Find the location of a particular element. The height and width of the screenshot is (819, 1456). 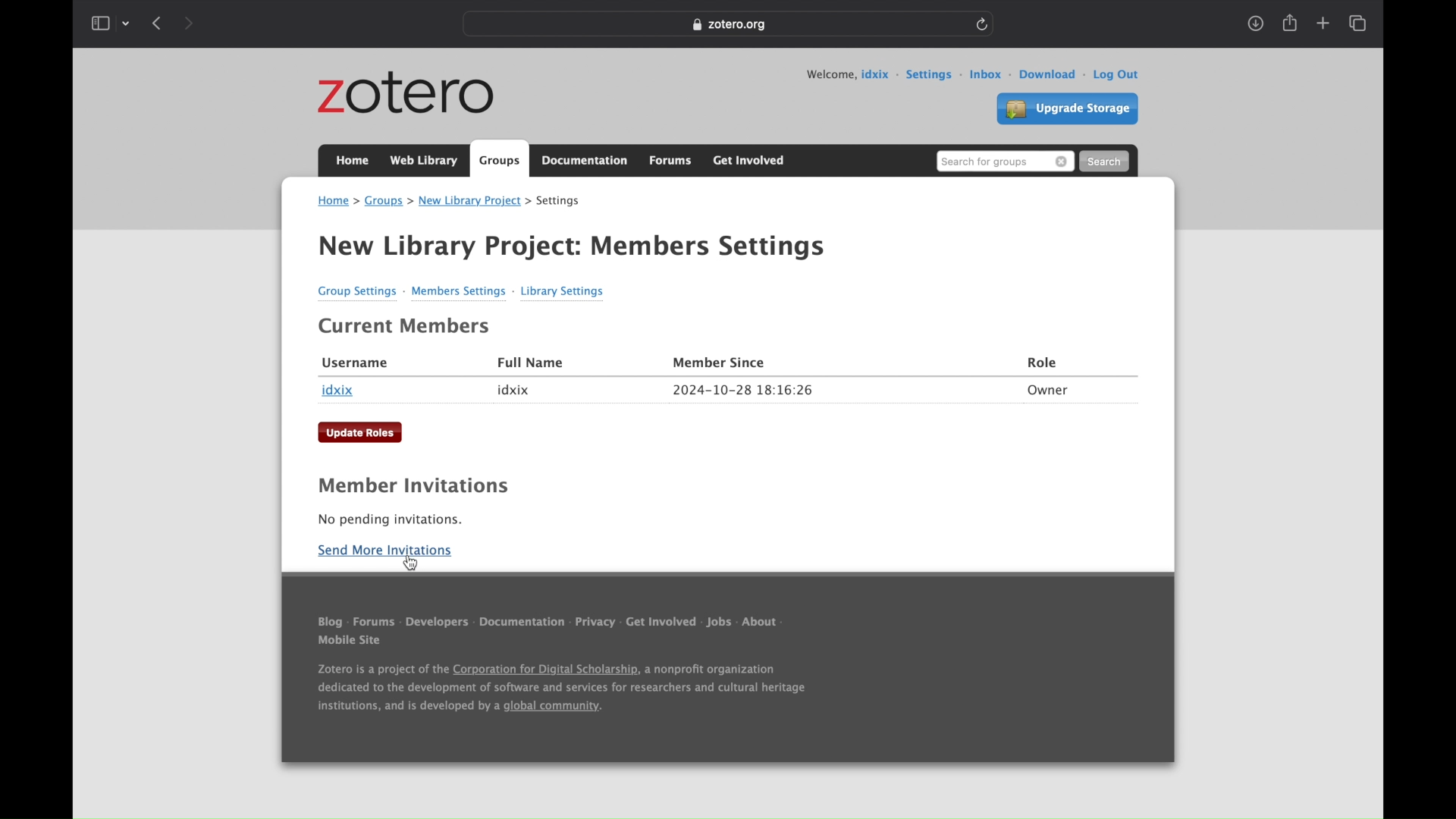

upgrade storage is located at coordinates (1066, 110).